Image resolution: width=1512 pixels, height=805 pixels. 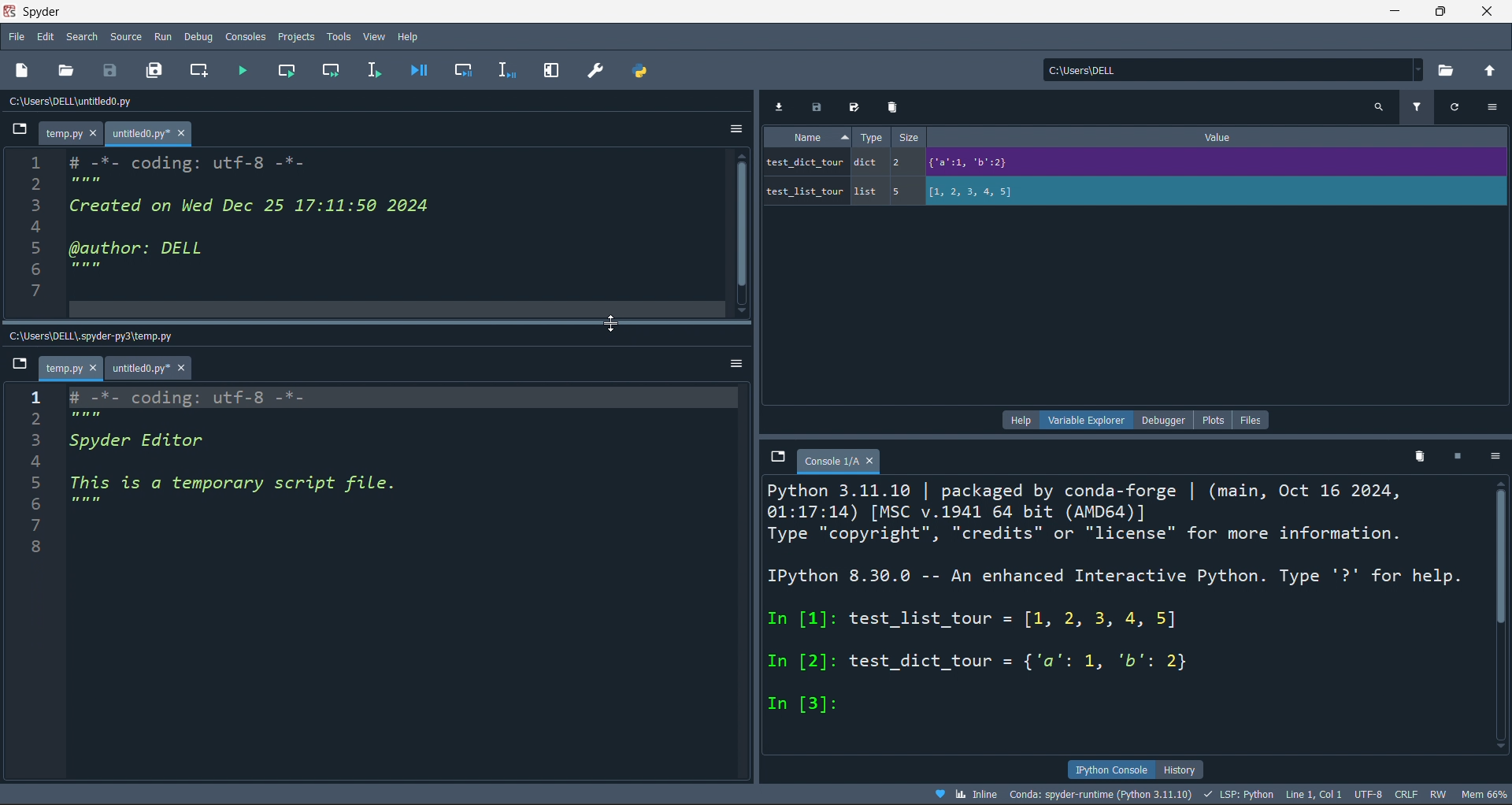 I want to click on search variables, so click(x=1378, y=108).